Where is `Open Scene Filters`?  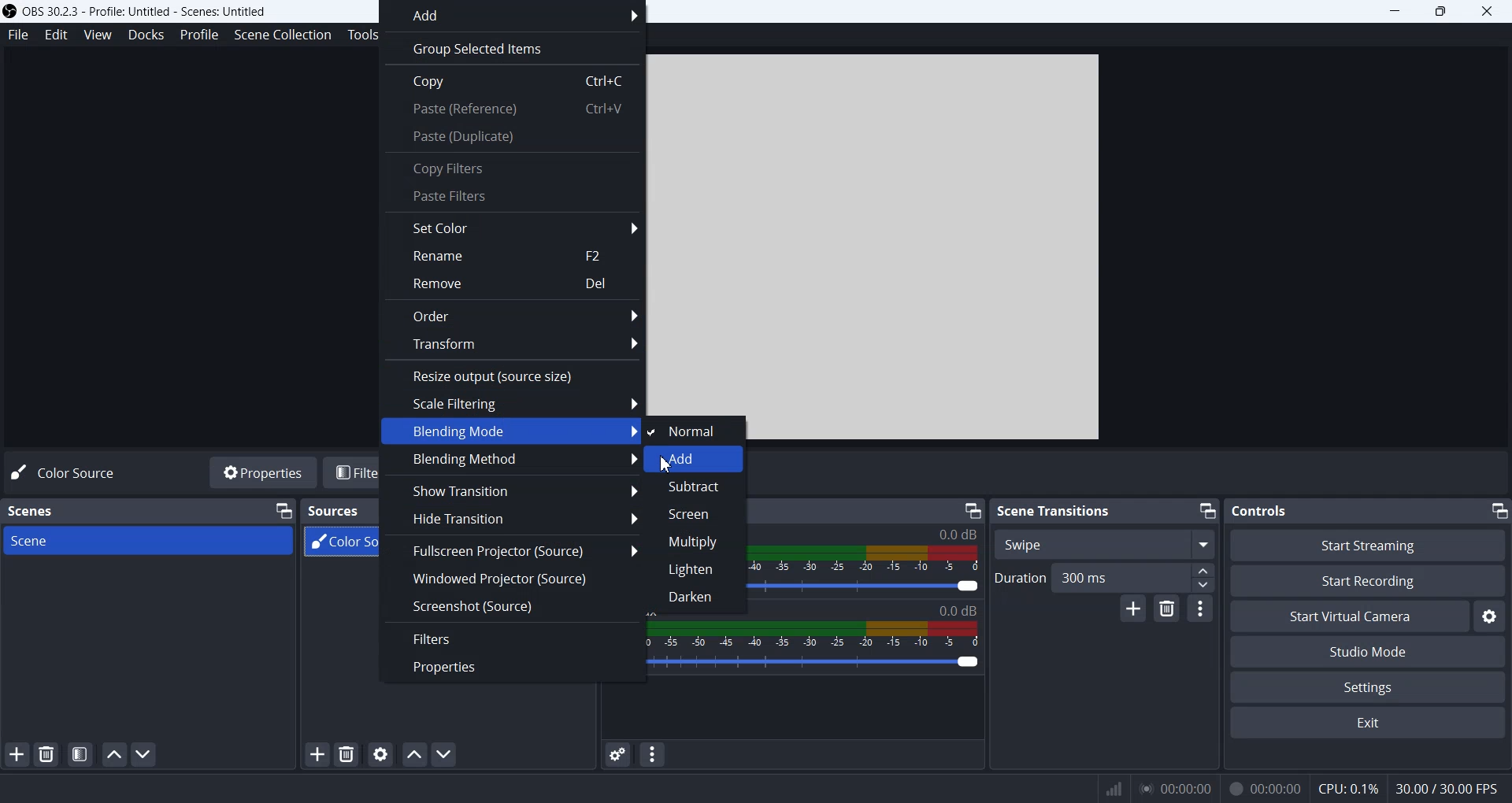
Open Scene Filters is located at coordinates (79, 754).